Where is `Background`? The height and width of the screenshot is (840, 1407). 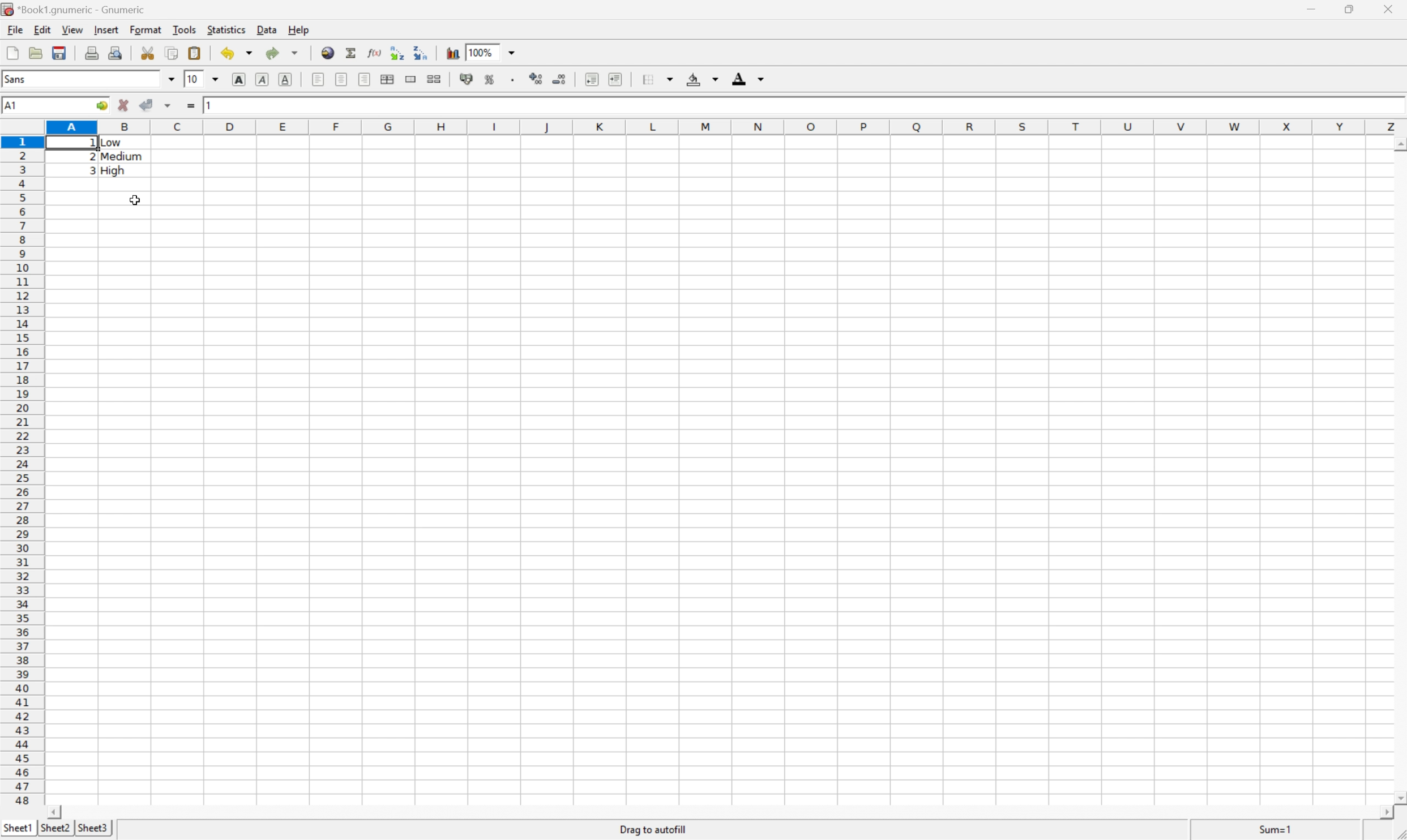 Background is located at coordinates (702, 78).